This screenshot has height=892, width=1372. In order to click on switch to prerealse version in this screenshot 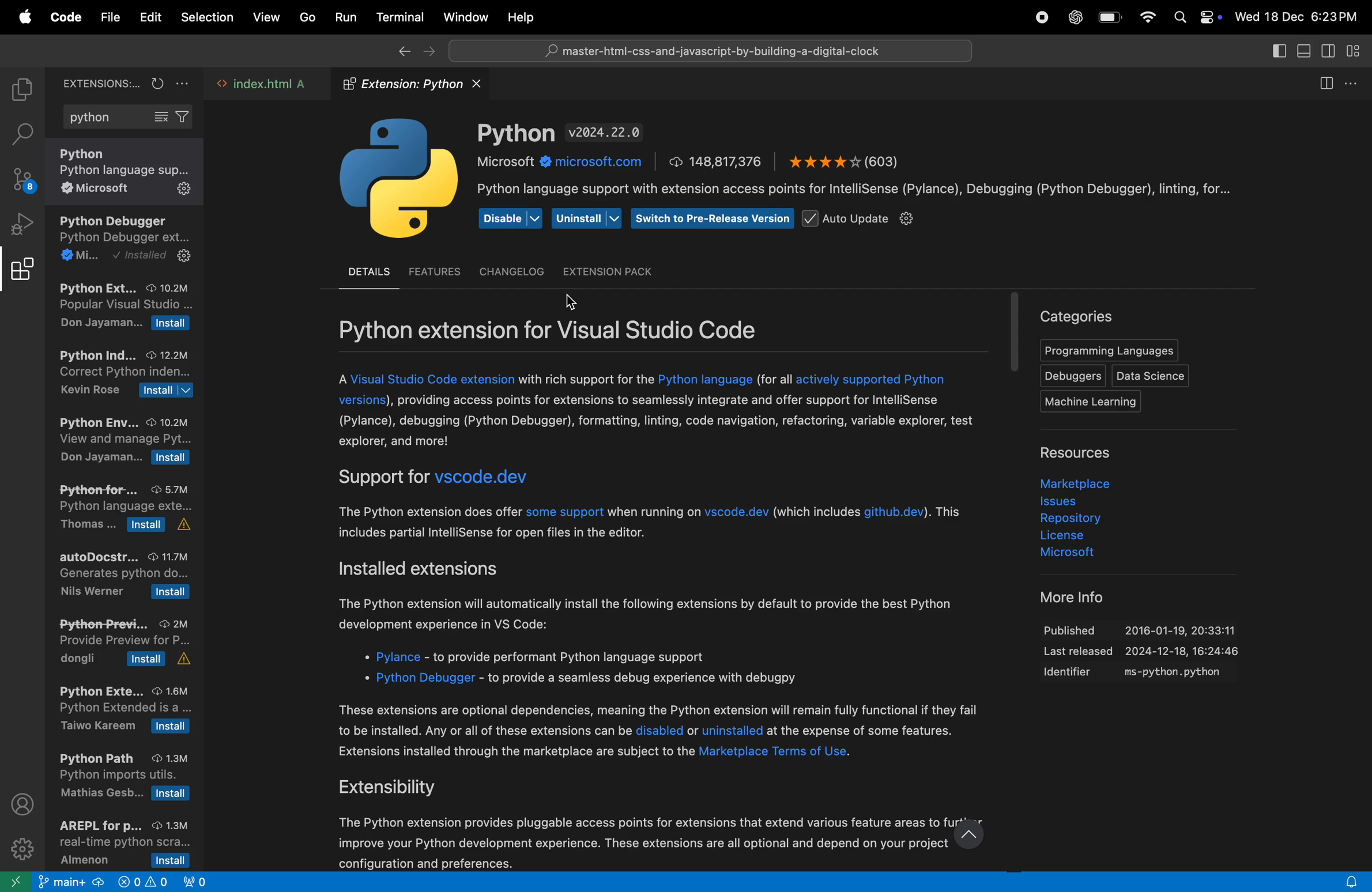, I will do `click(712, 218)`.